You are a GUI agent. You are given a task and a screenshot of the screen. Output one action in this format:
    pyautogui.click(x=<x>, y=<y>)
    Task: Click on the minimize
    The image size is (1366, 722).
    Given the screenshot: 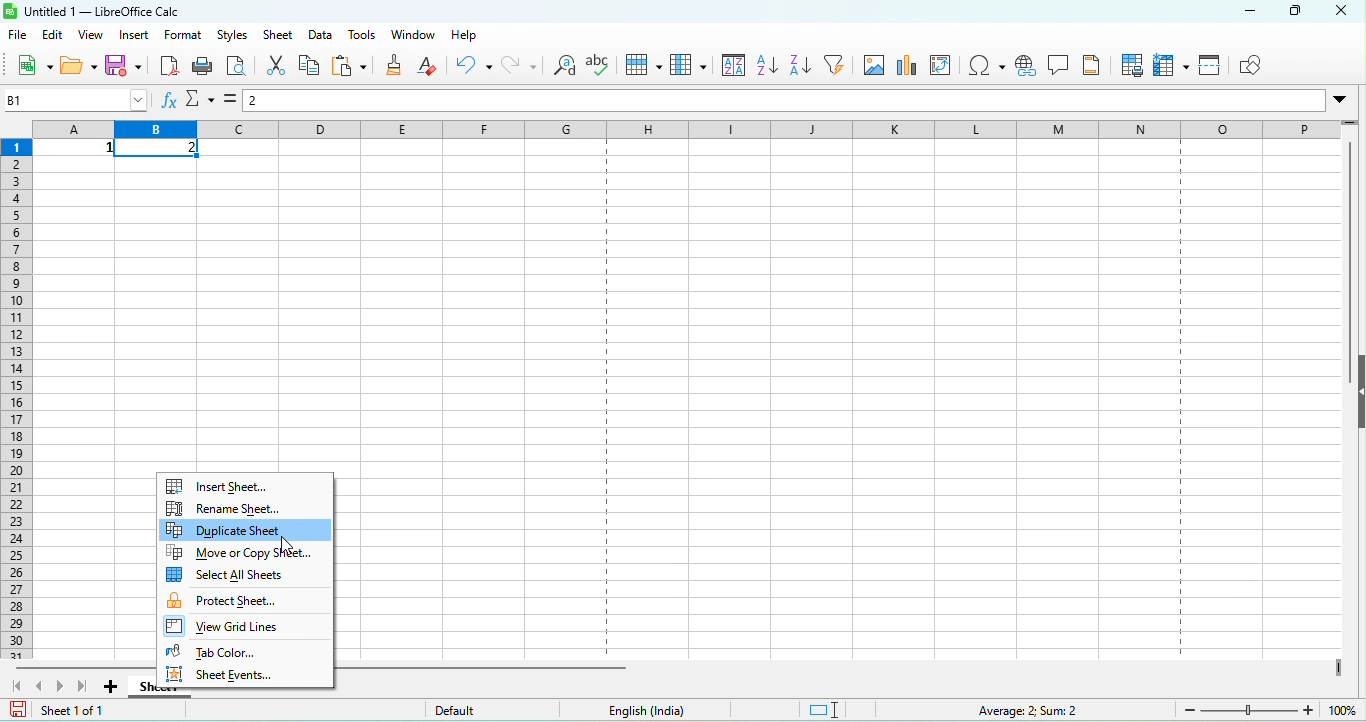 What is the action you would take?
    pyautogui.click(x=1232, y=11)
    